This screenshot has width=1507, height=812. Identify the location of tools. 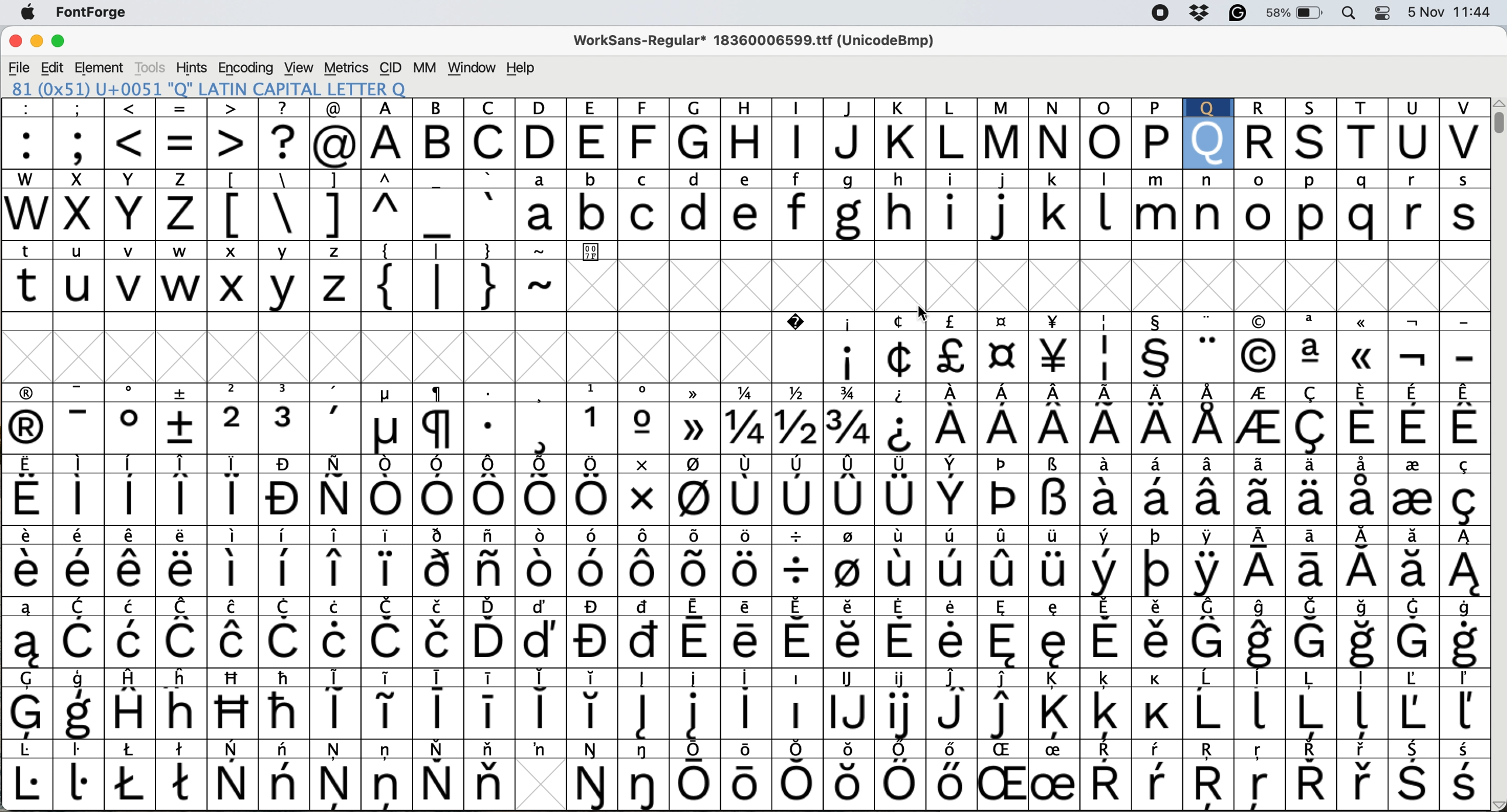
(153, 66).